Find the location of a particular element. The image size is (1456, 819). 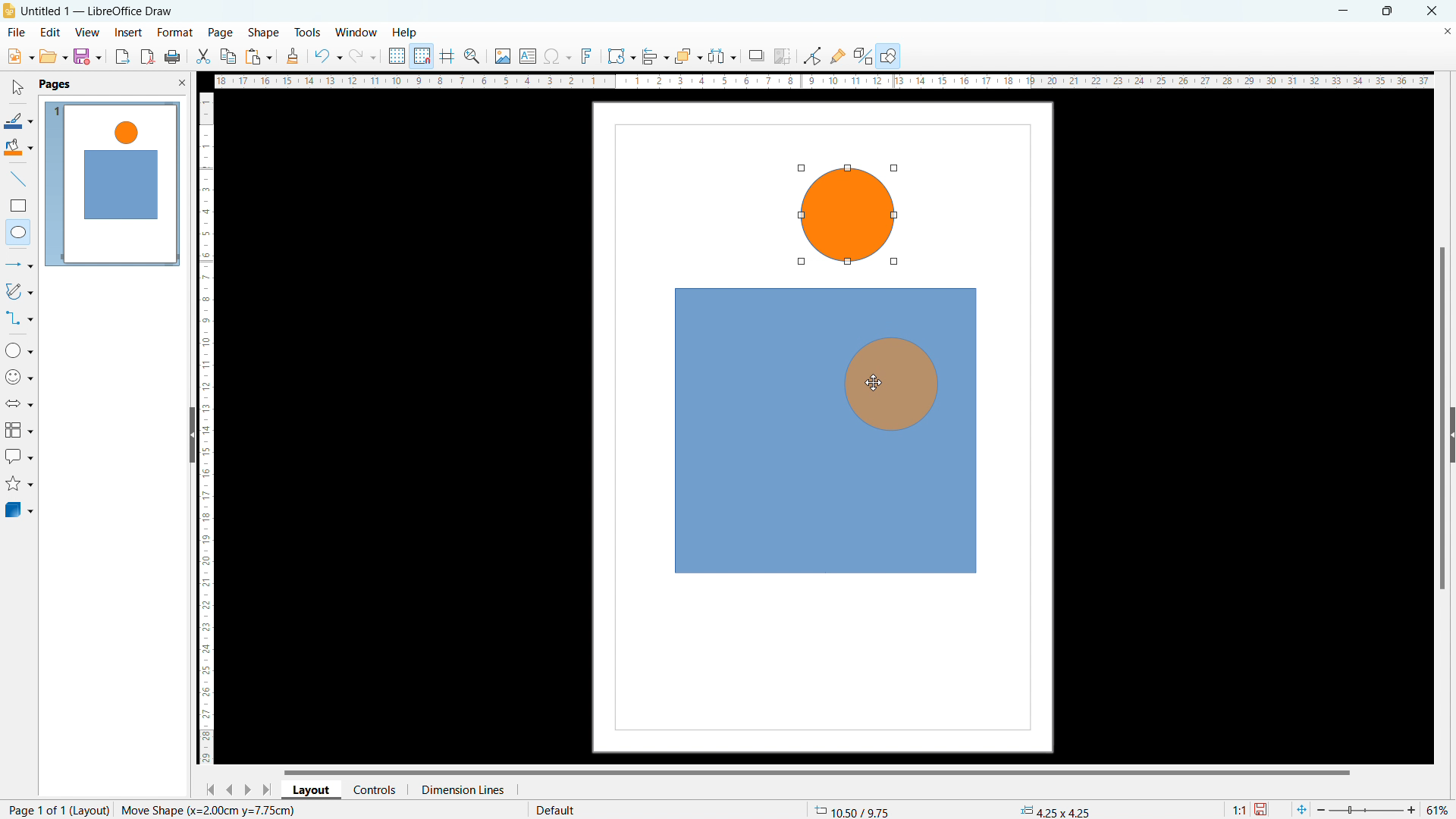

stars and banners is located at coordinates (18, 485).